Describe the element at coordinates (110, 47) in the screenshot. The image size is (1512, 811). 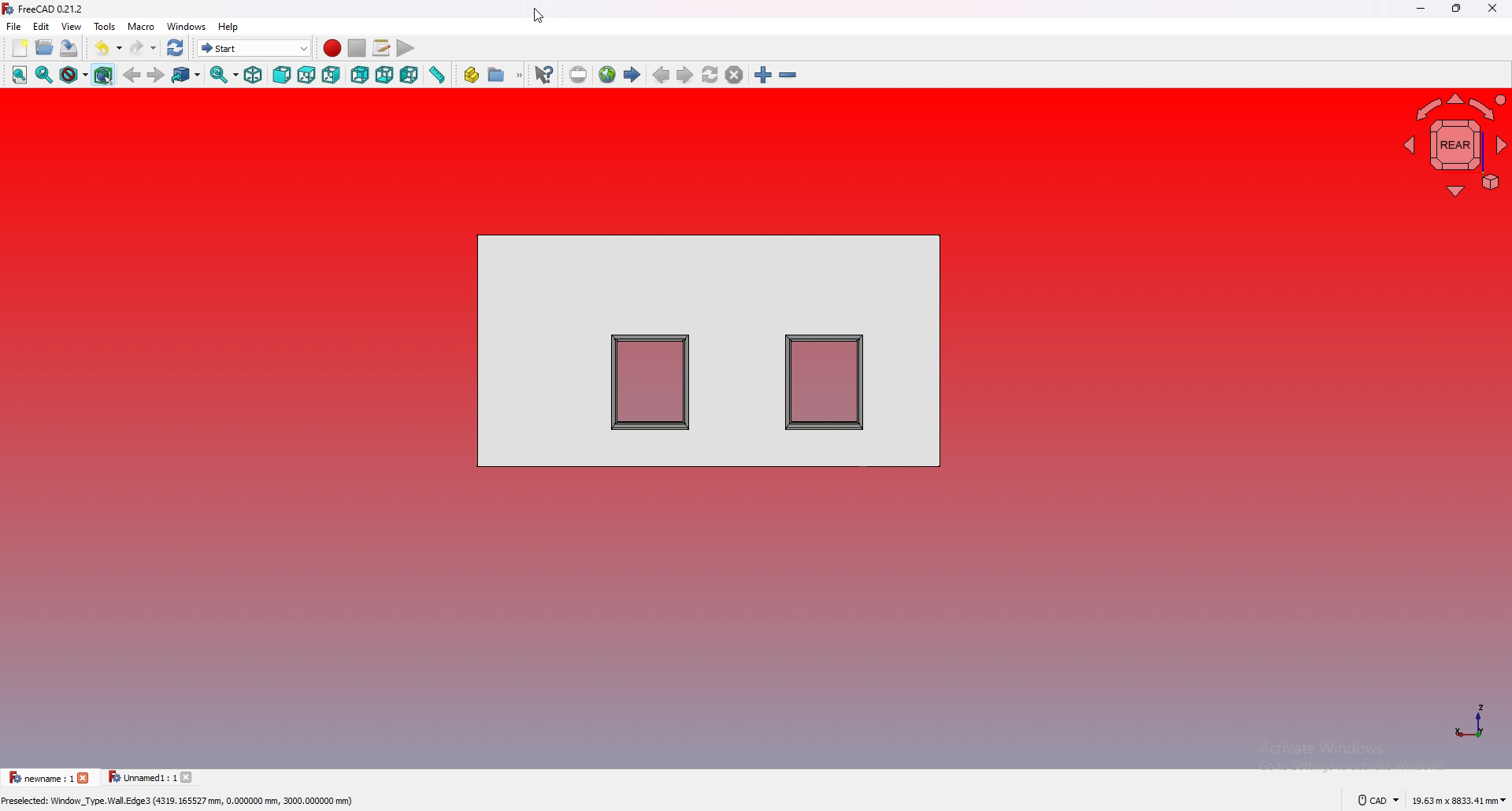
I see `undo` at that location.